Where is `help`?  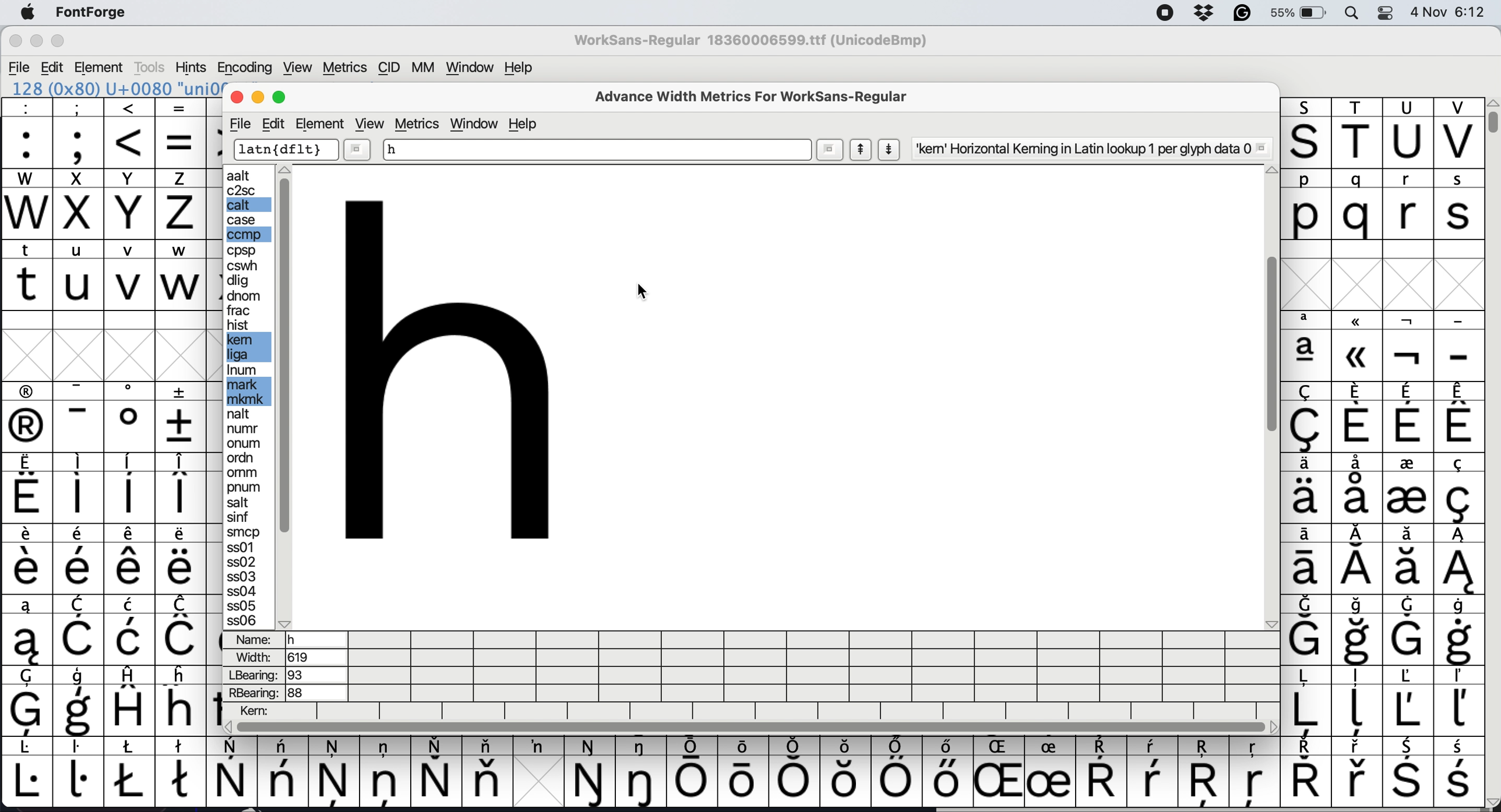 help is located at coordinates (523, 125).